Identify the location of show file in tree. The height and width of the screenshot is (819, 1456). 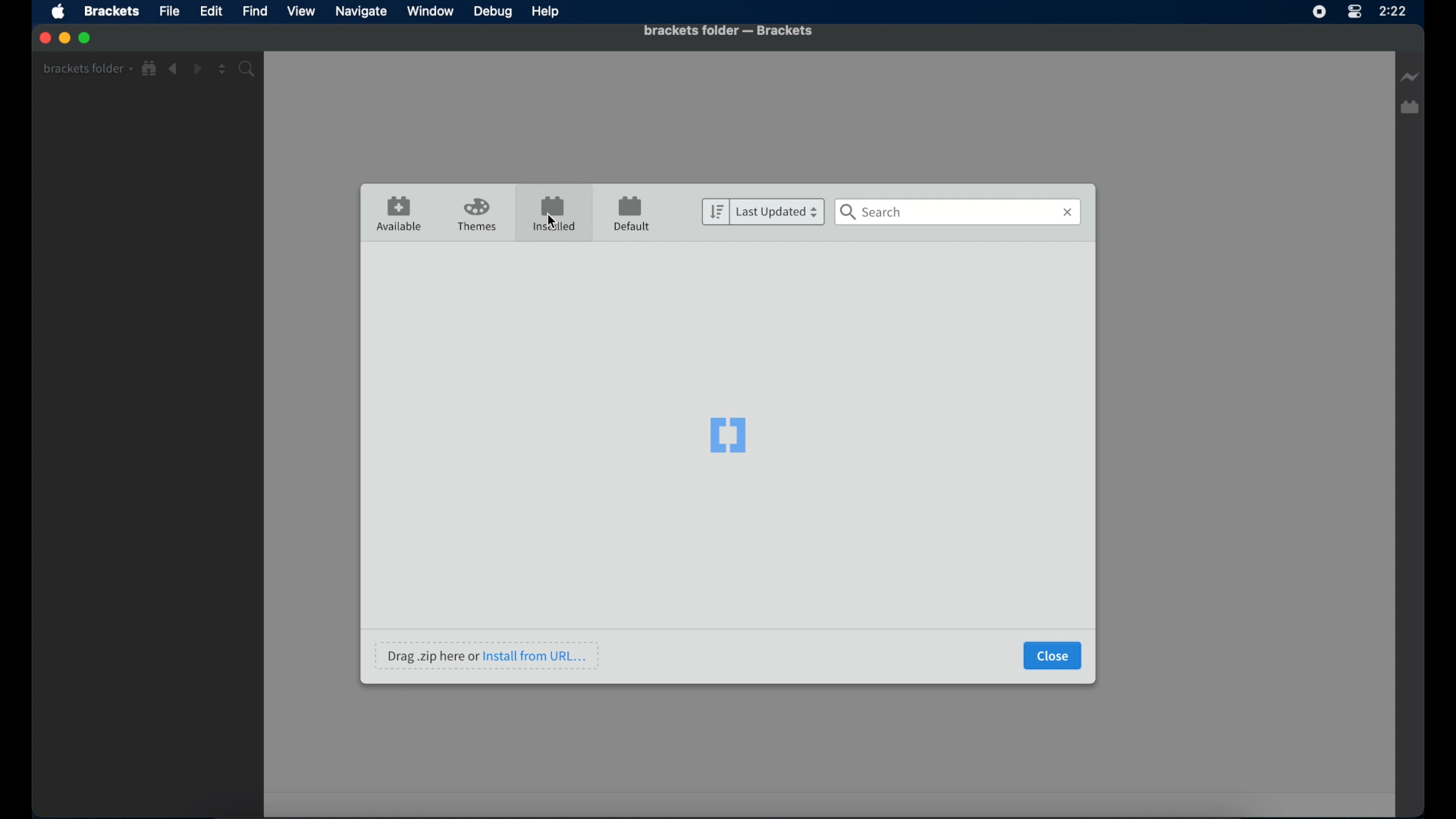
(150, 69).